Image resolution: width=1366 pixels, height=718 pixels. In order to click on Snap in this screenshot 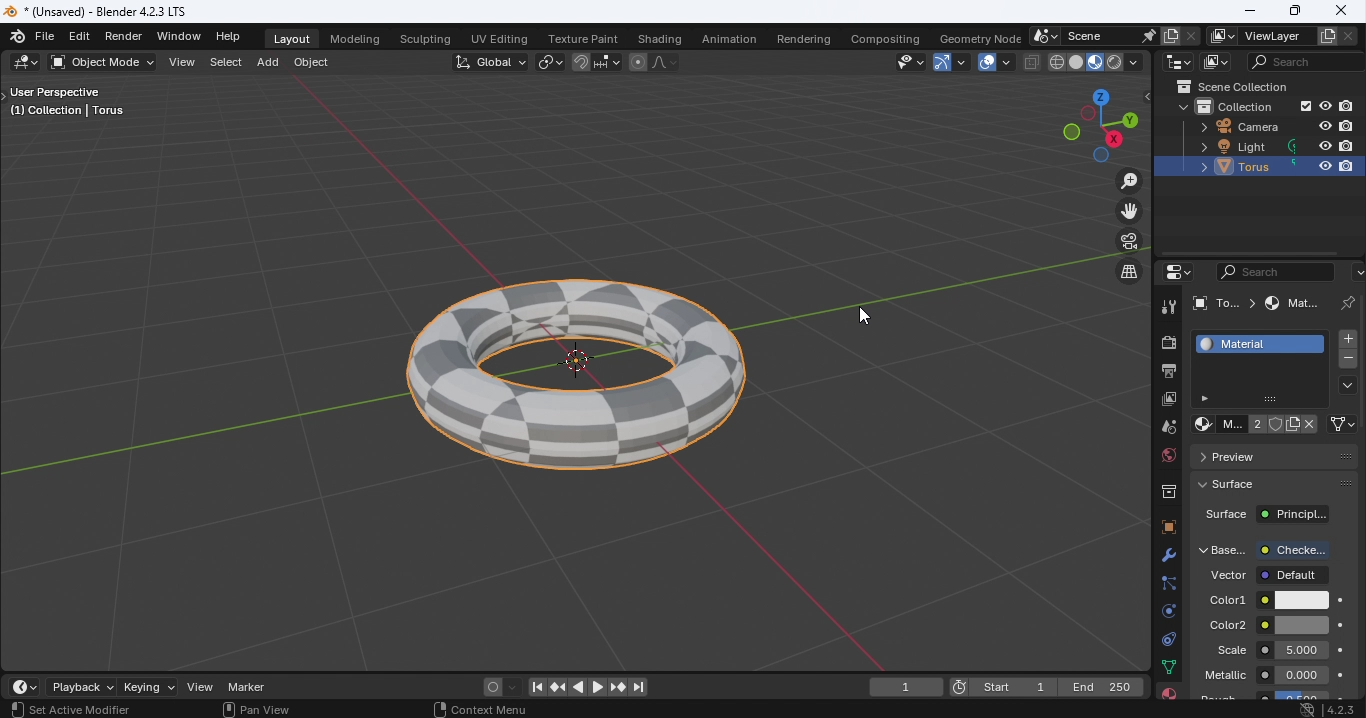, I will do `click(579, 61)`.